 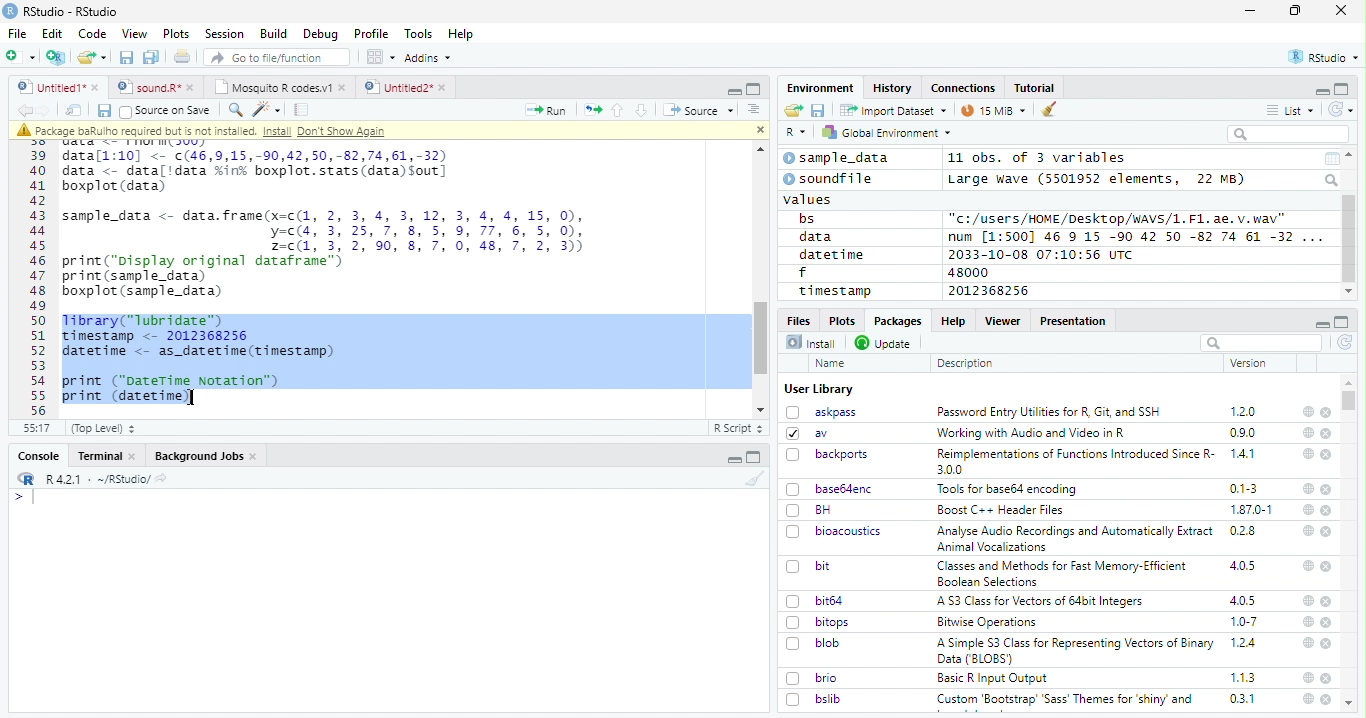 What do you see at coordinates (103, 111) in the screenshot?
I see `Save` at bounding box center [103, 111].